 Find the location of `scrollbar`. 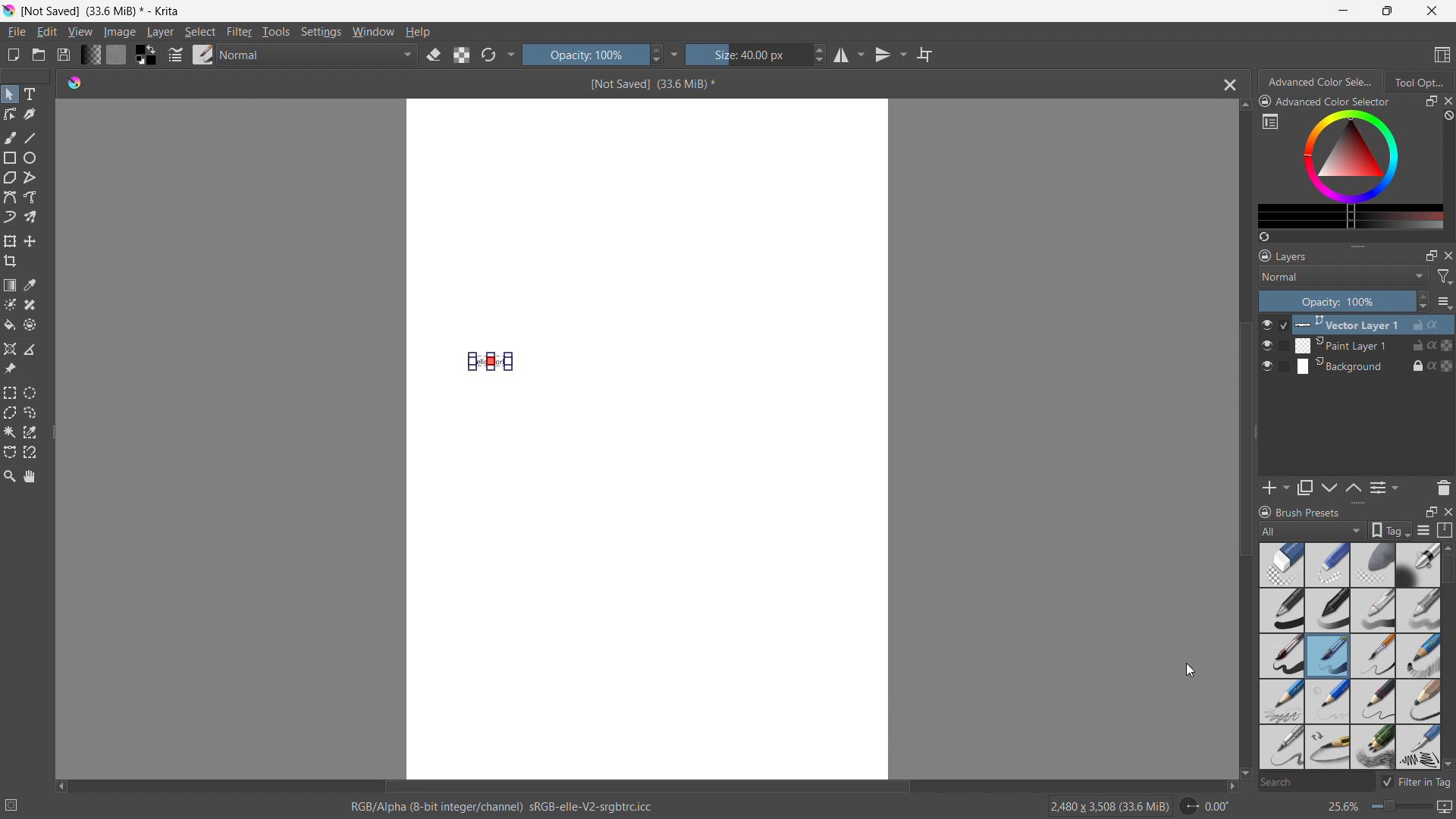

scrollbar is located at coordinates (1447, 635).